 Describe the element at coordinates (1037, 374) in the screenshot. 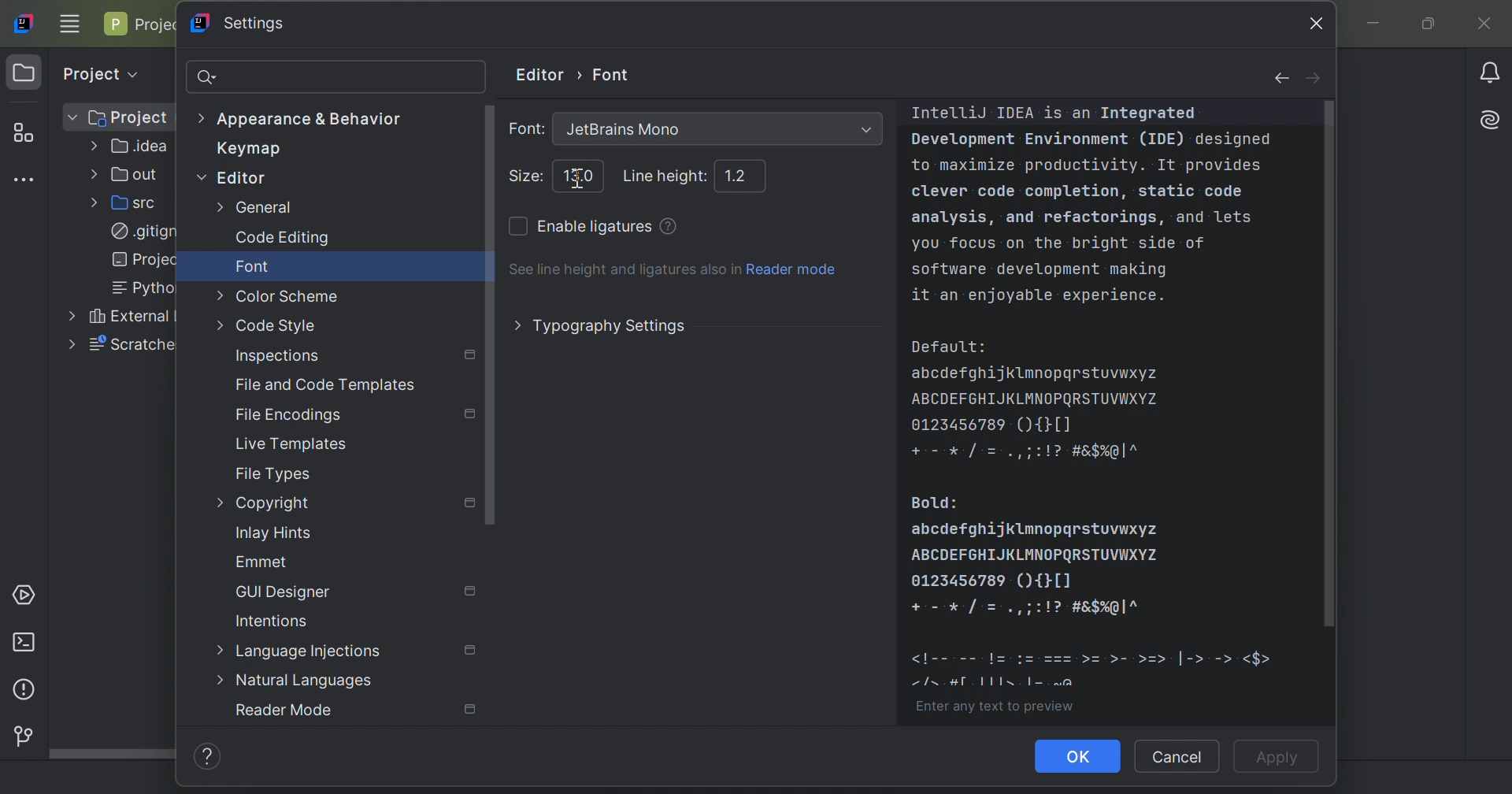

I see `abcdefghijklmnopqrstuvwxyz` at that location.